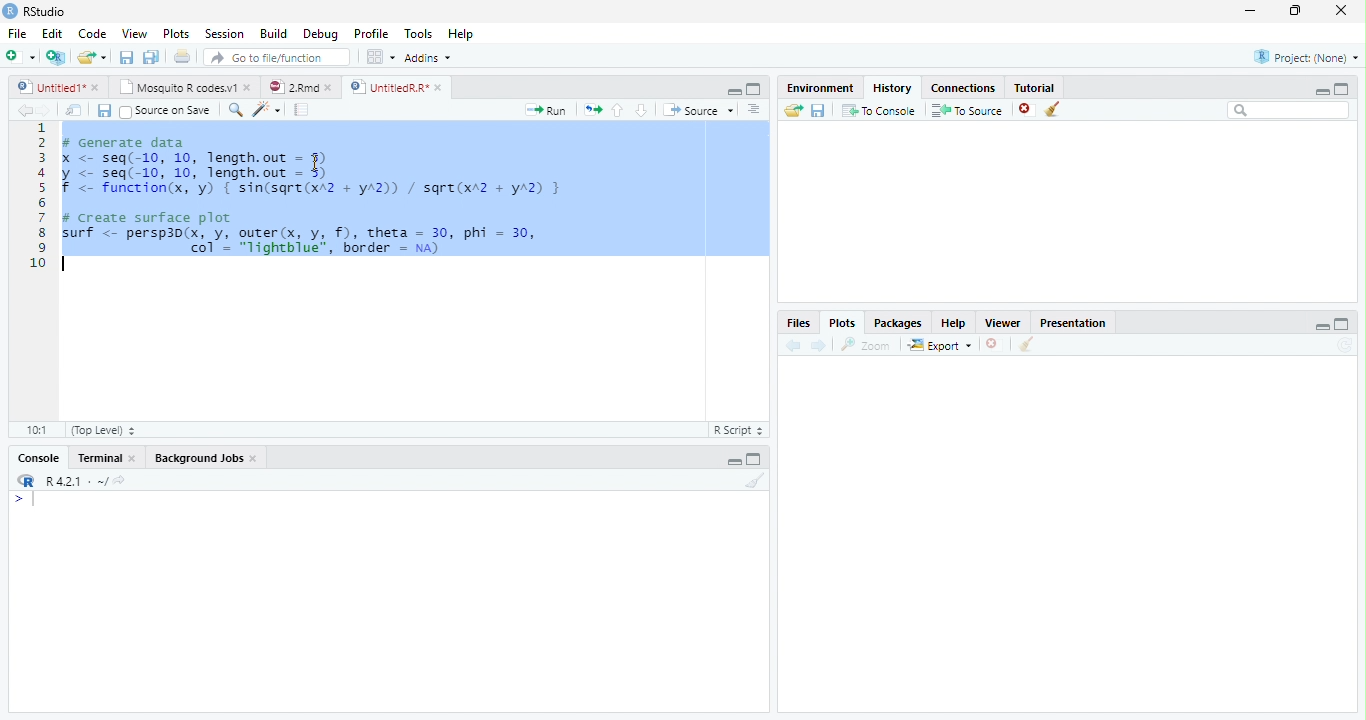  What do you see at coordinates (954, 322) in the screenshot?
I see `Help` at bounding box center [954, 322].